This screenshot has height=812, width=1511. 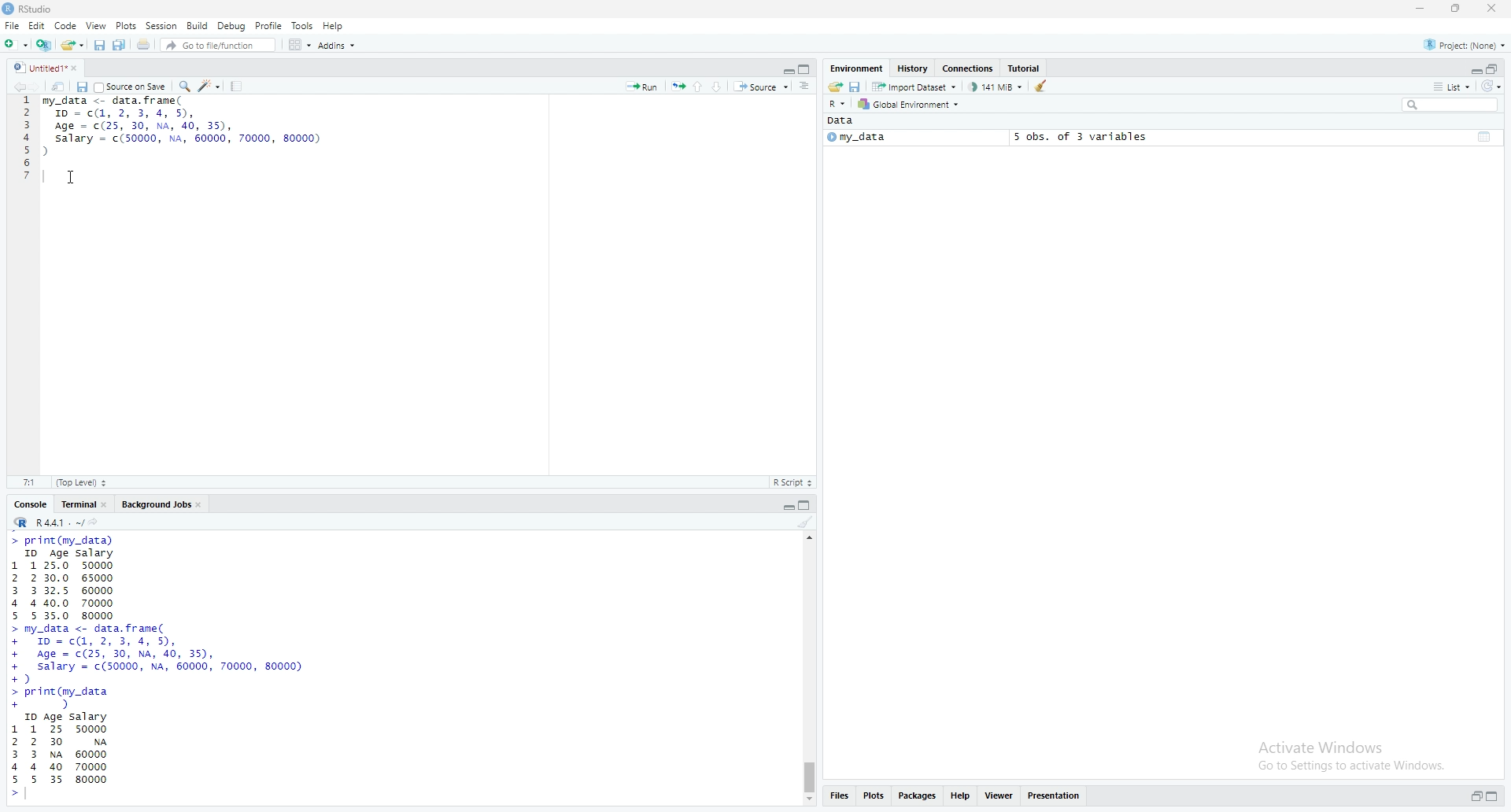 I want to click on project(None), so click(x=1467, y=47).